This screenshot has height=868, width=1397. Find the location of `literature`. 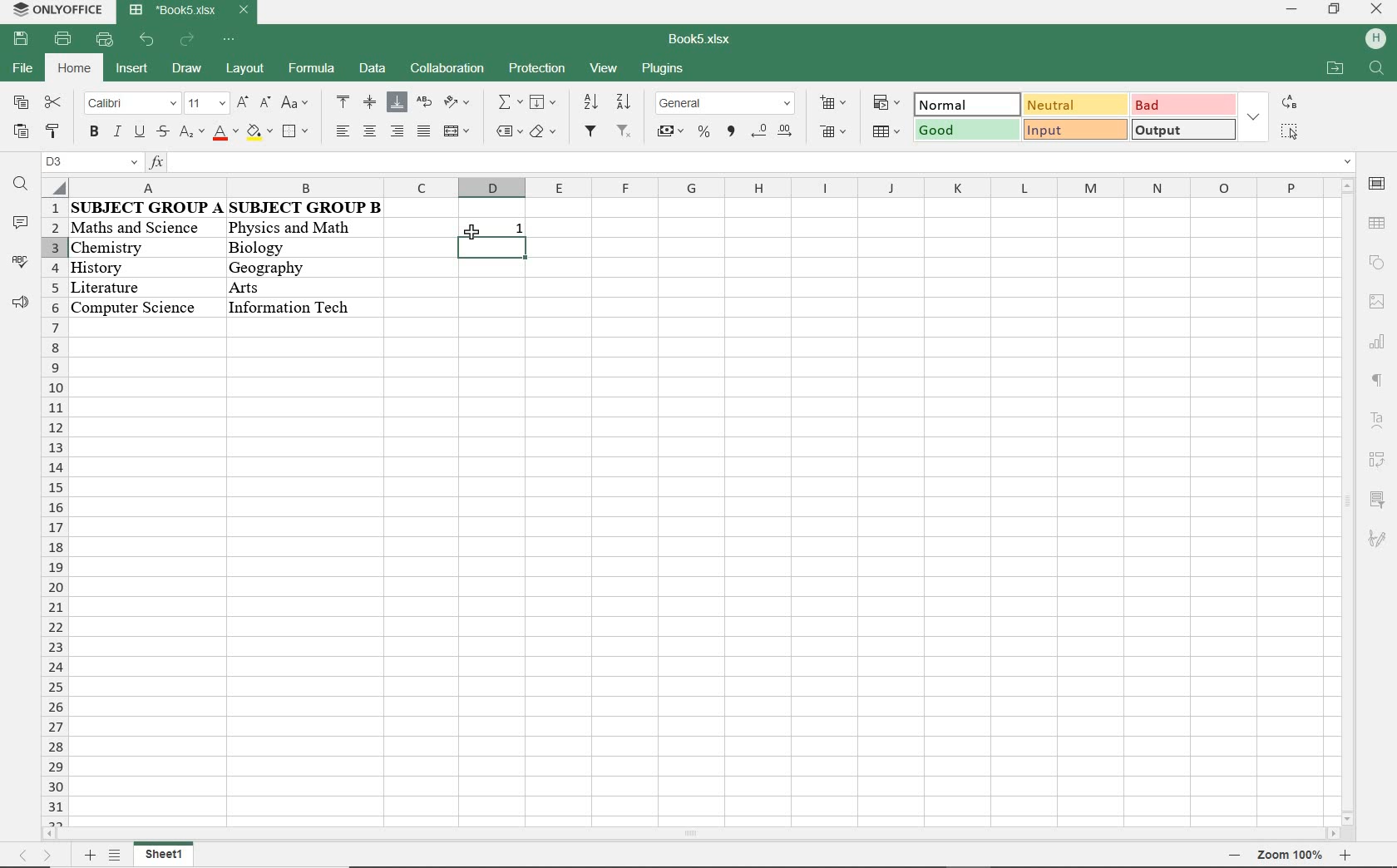

literature is located at coordinates (130, 284).